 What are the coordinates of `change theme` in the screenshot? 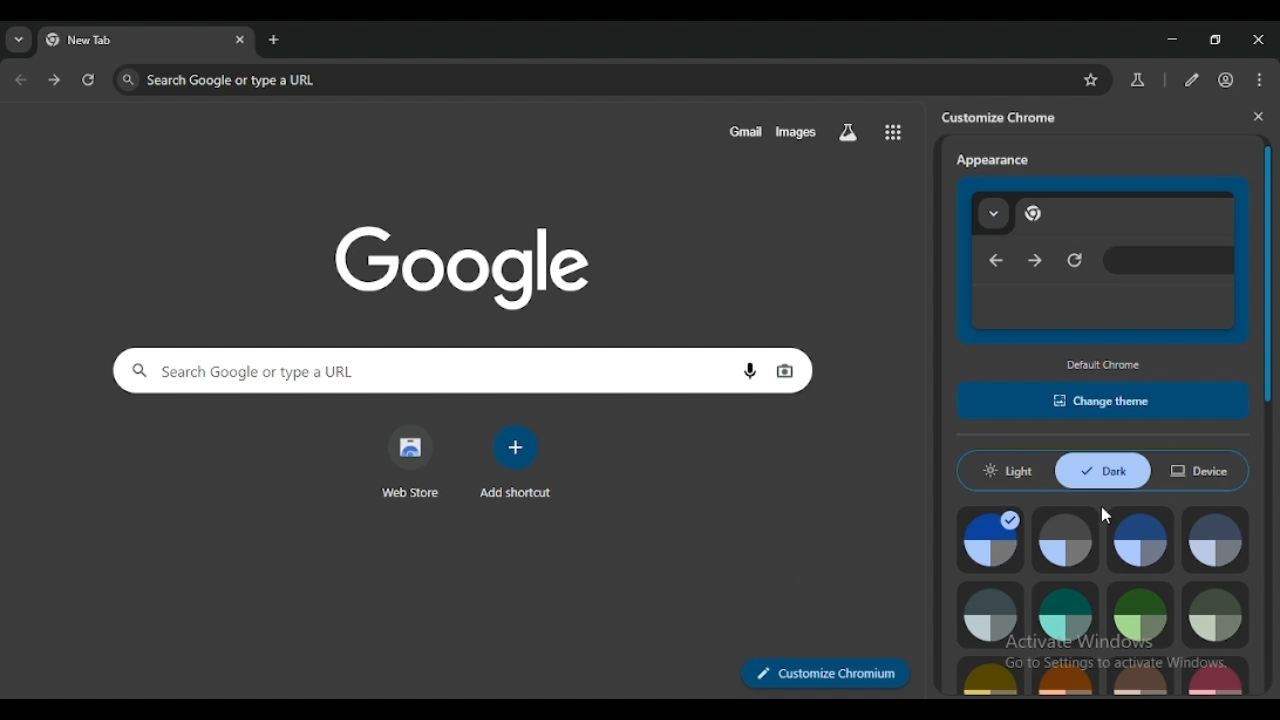 It's located at (1102, 401).